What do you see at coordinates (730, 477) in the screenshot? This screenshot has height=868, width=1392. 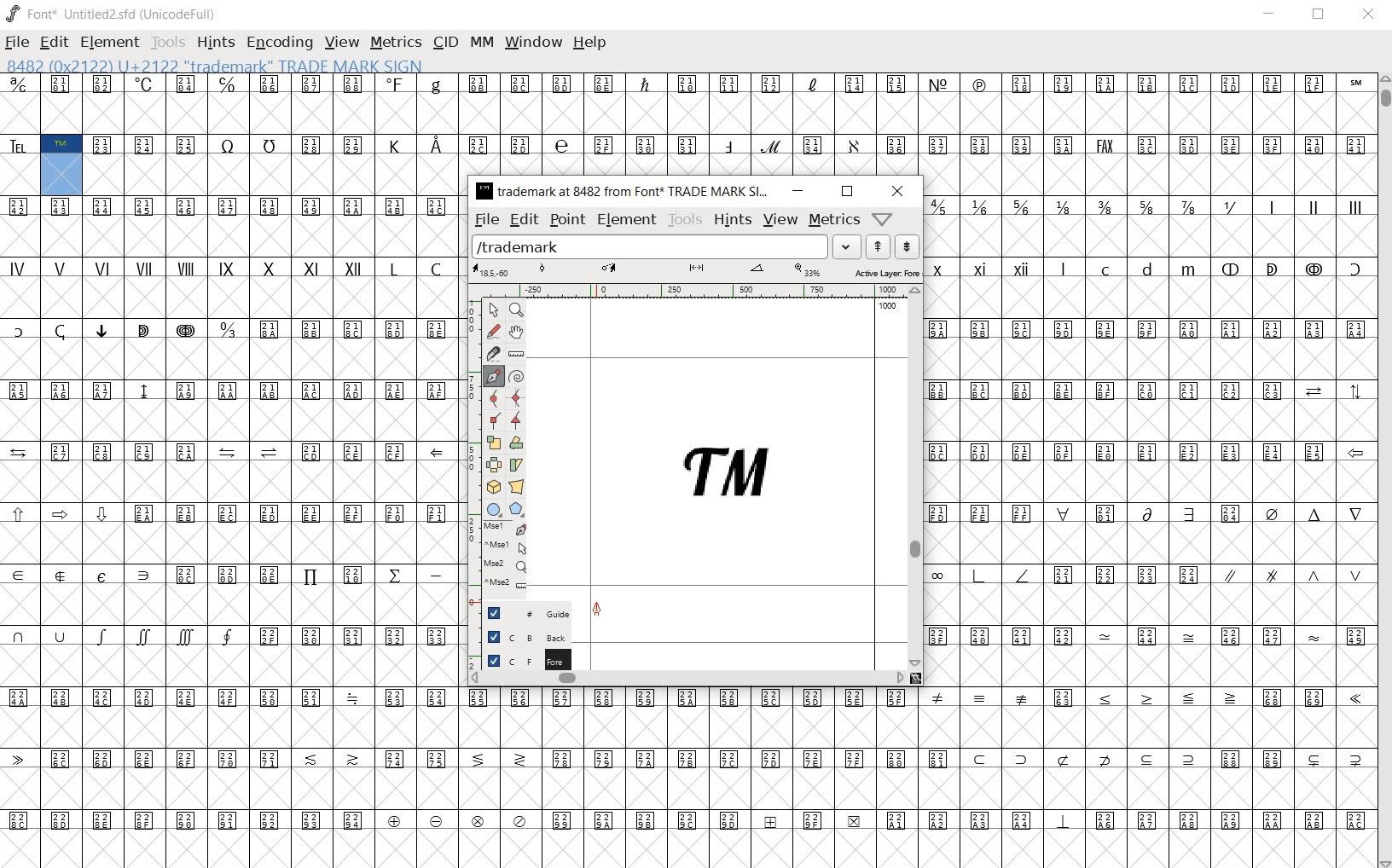 I see `trademark added` at bounding box center [730, 477].